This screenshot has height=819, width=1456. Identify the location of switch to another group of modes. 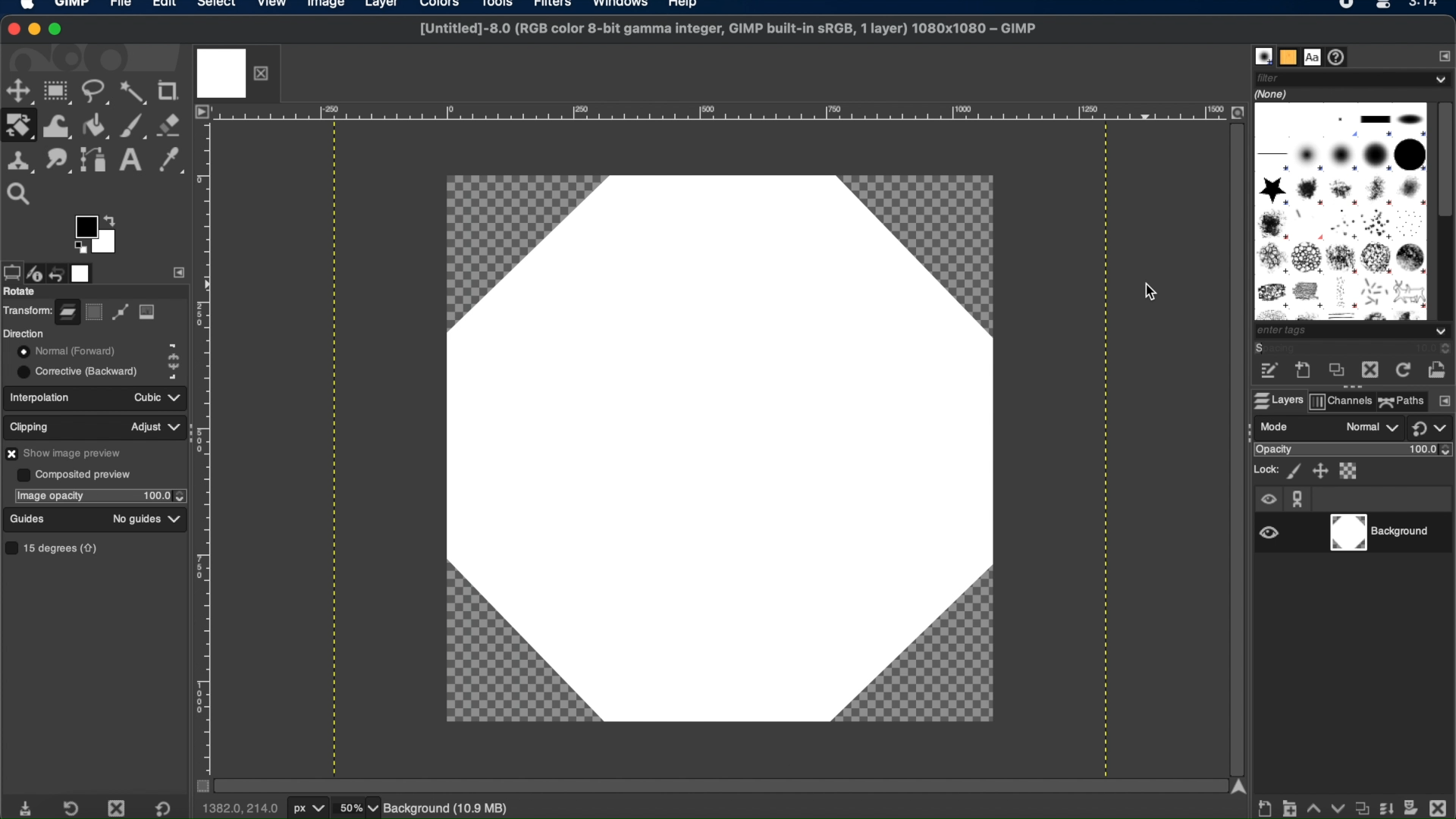
(1433, 429).